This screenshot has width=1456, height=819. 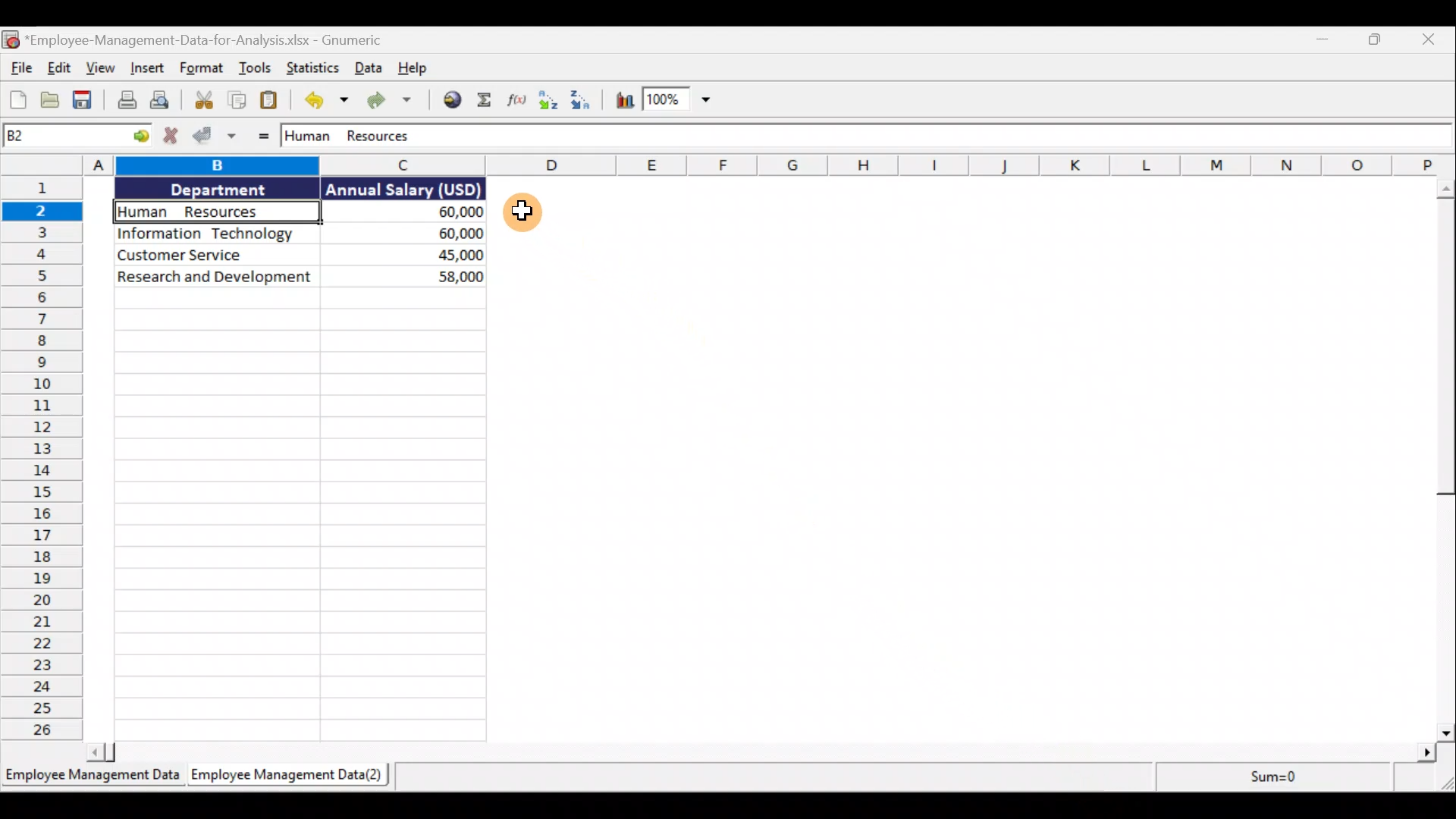 I want to click on scroll bar, so click(x=1443, y=461).